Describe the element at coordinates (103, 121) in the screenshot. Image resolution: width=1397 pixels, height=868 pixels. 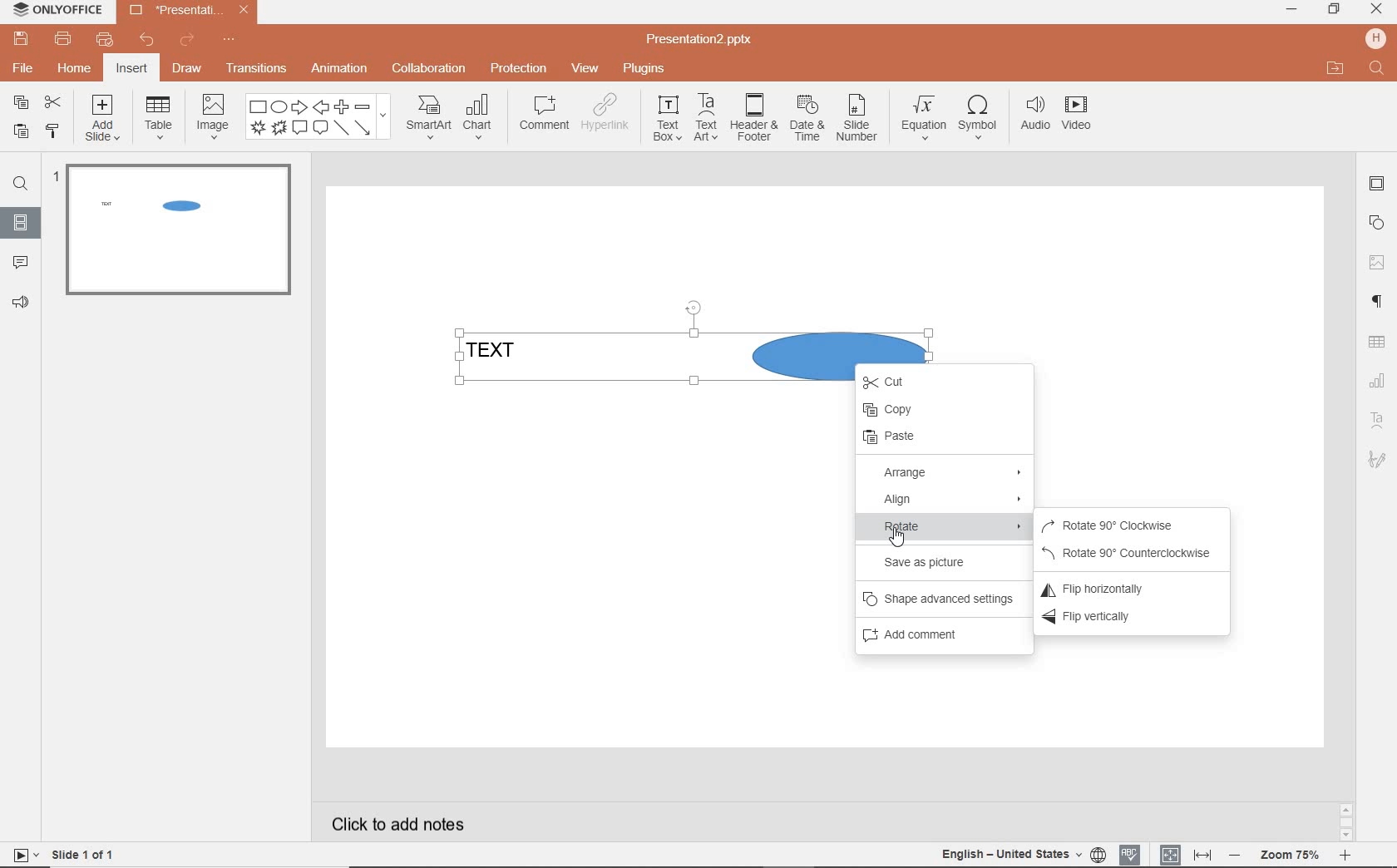
I see `add slide` at that location.